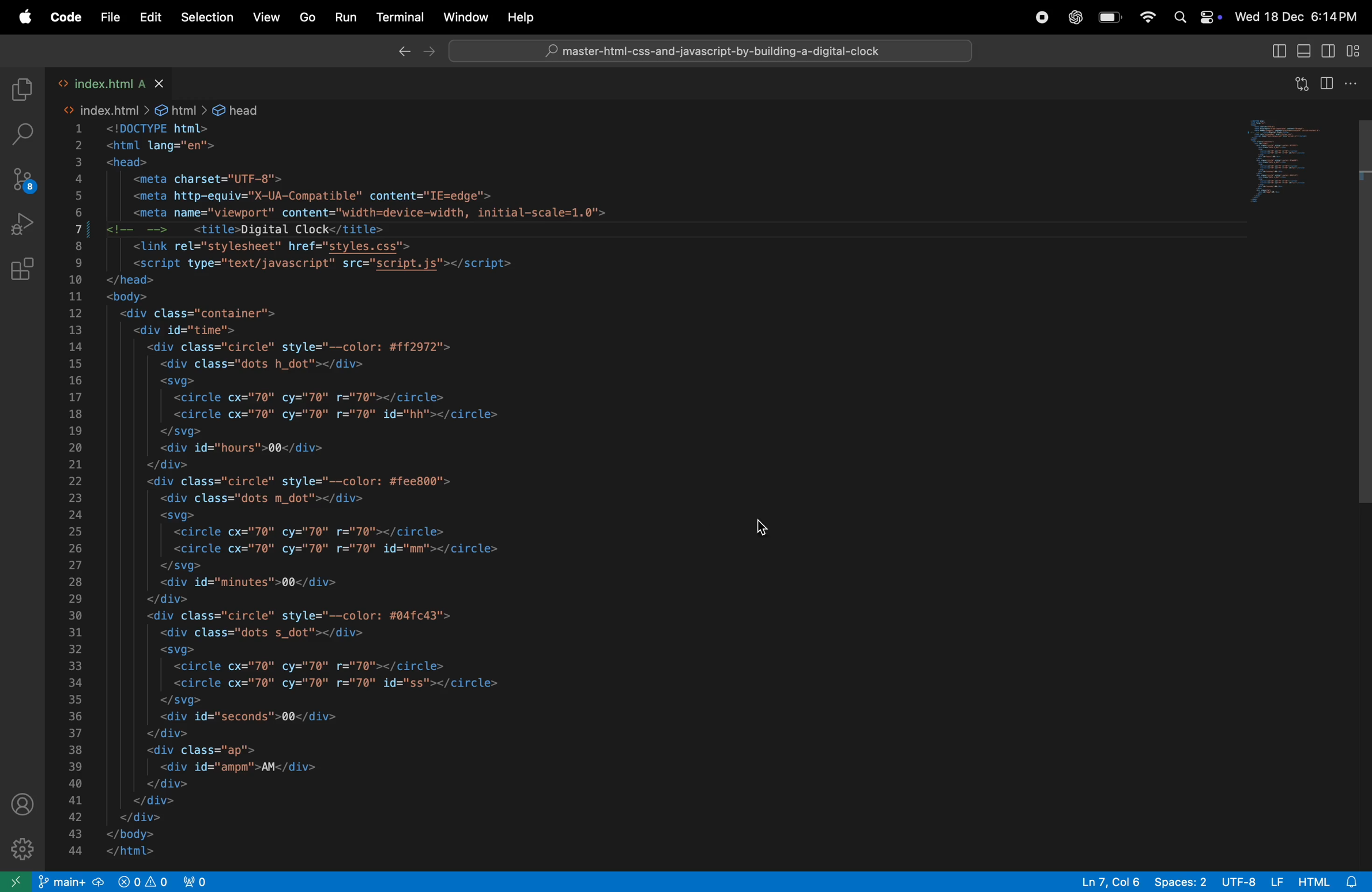  I want to click on open changes, so click(1304, 80).